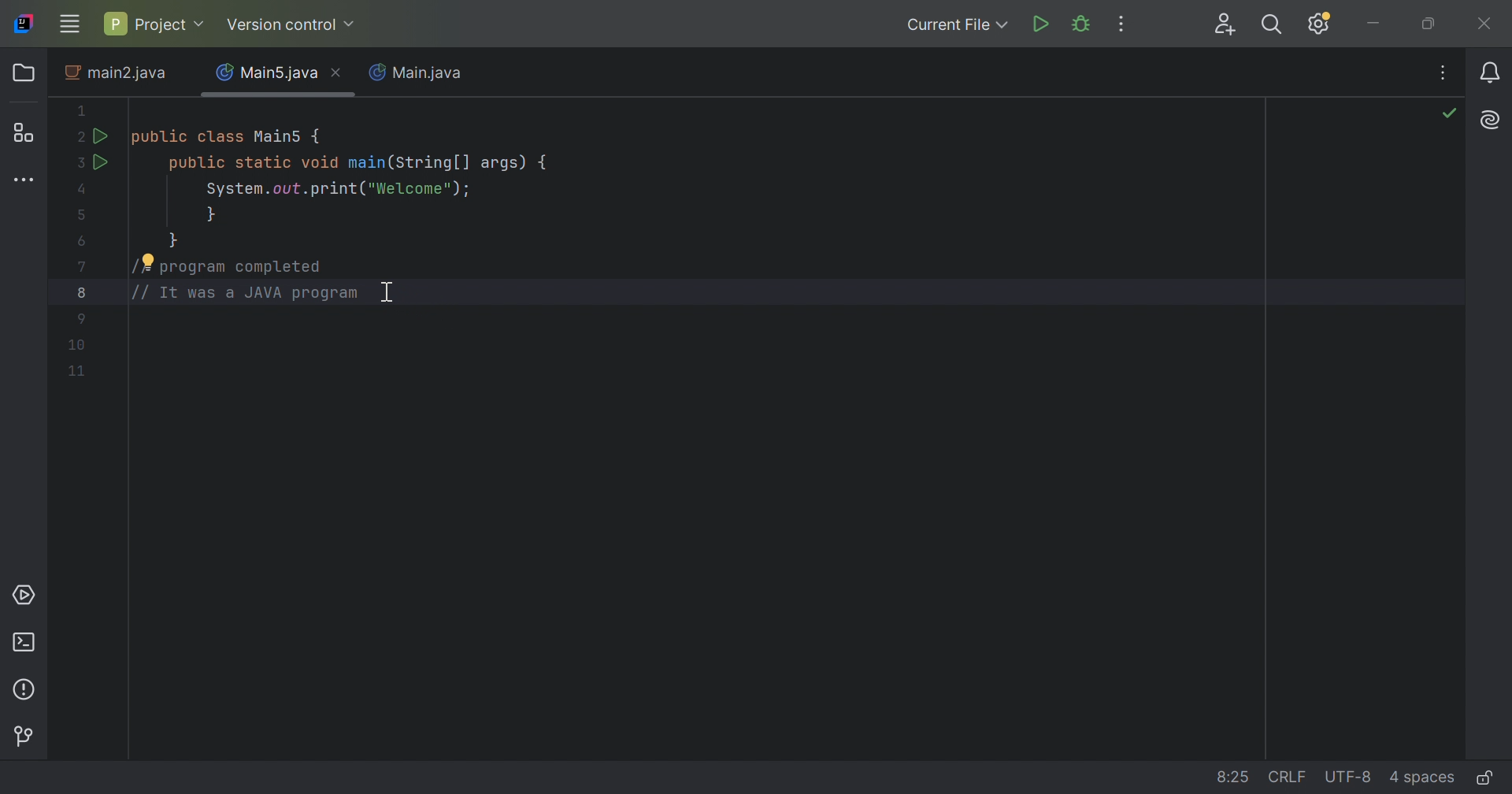 The image size is (1512, 794). Describe the element at coordinates (958, 25) in the screenshot. I see `Current File` at that location.